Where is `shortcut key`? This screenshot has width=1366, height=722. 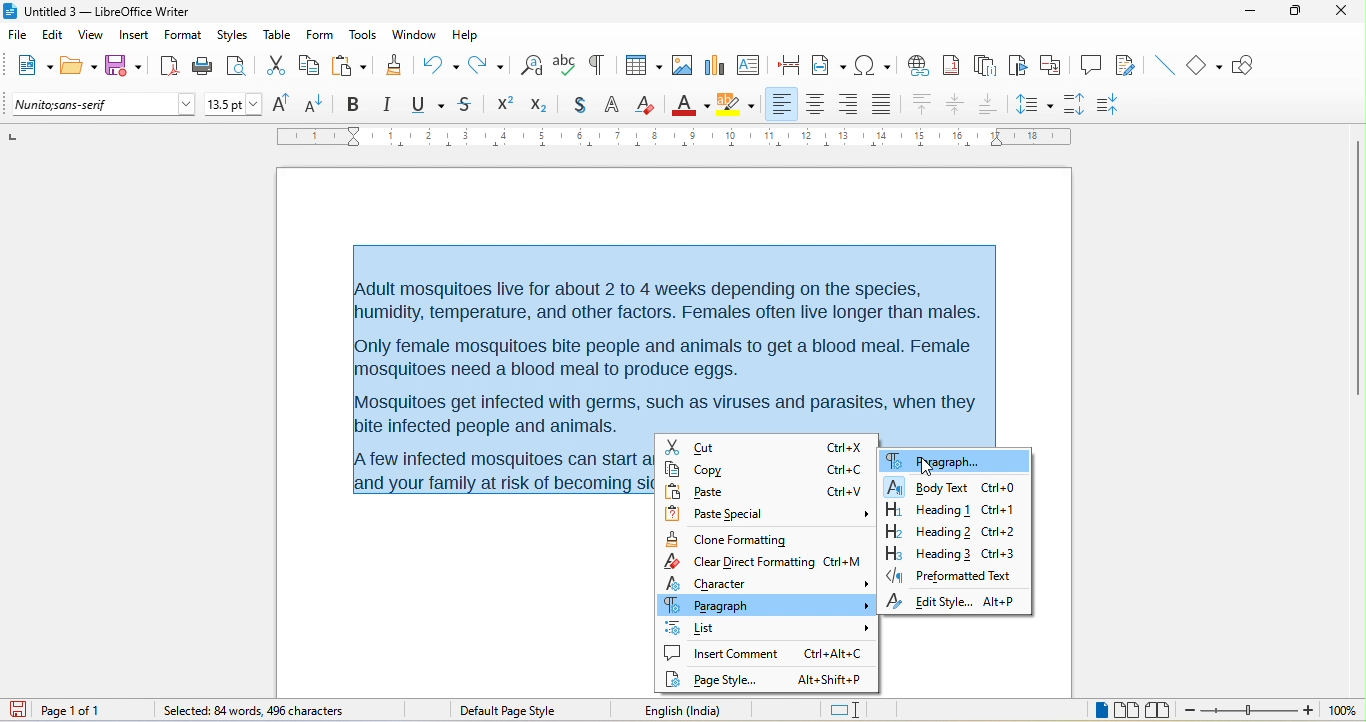
shortcut key is located at coordinates (1001, 601).